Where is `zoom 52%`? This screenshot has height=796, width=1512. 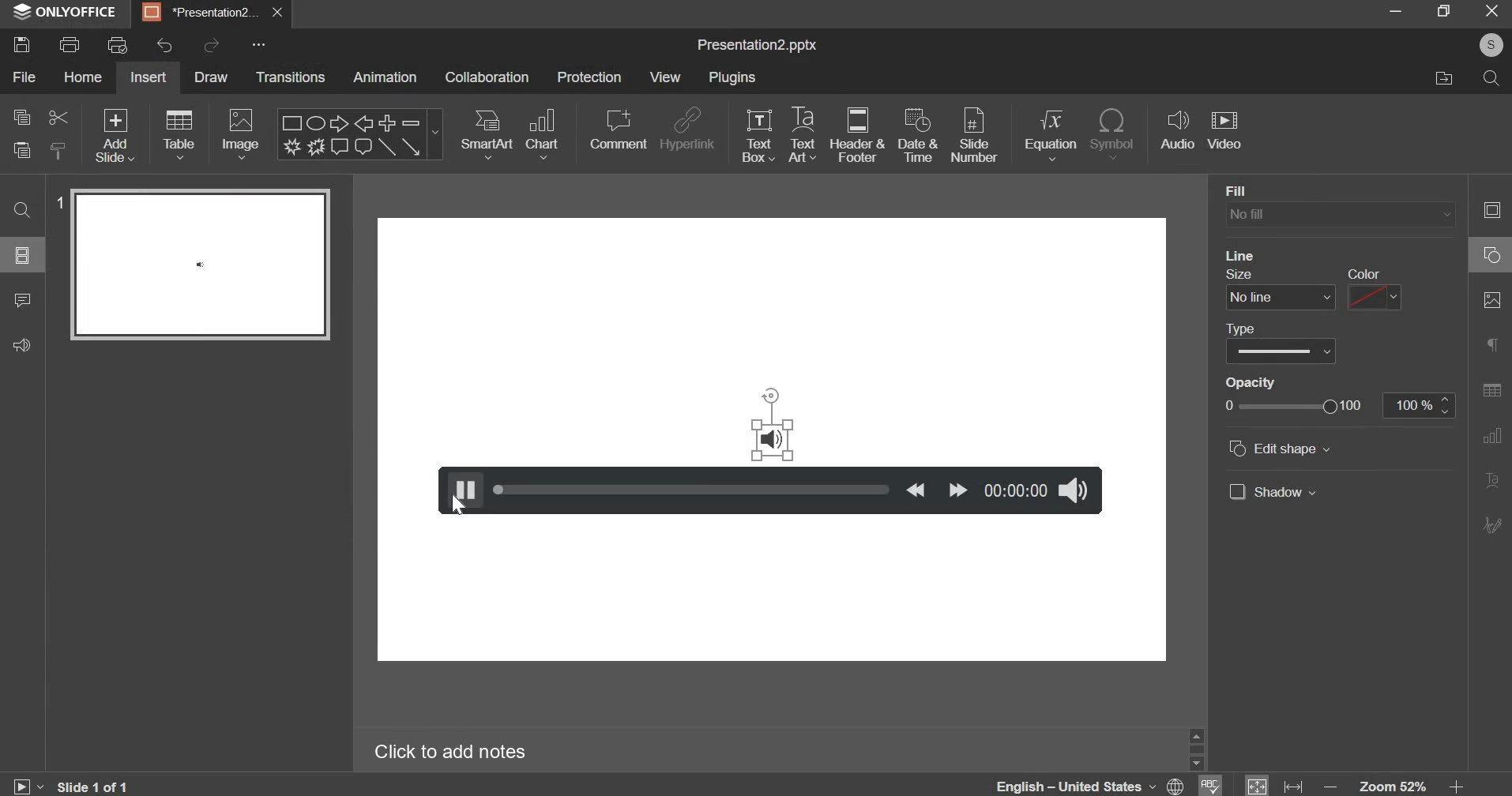 zoom 52% is located at coordinates (1394, 785).